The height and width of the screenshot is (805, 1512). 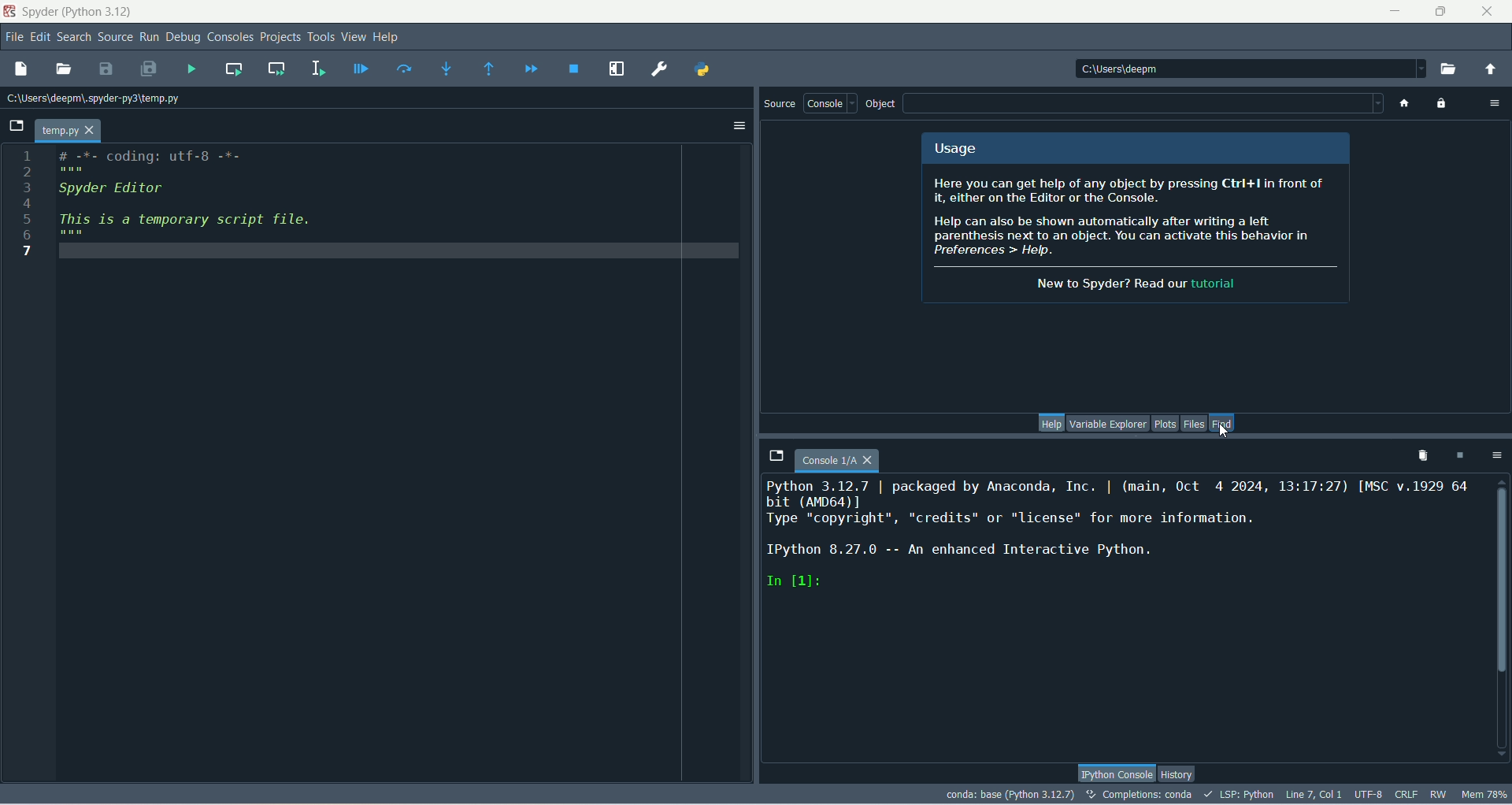 What do you see at coordinates (76, 39) in the screenshot?
I see `search` at bounding box center [76, 39].